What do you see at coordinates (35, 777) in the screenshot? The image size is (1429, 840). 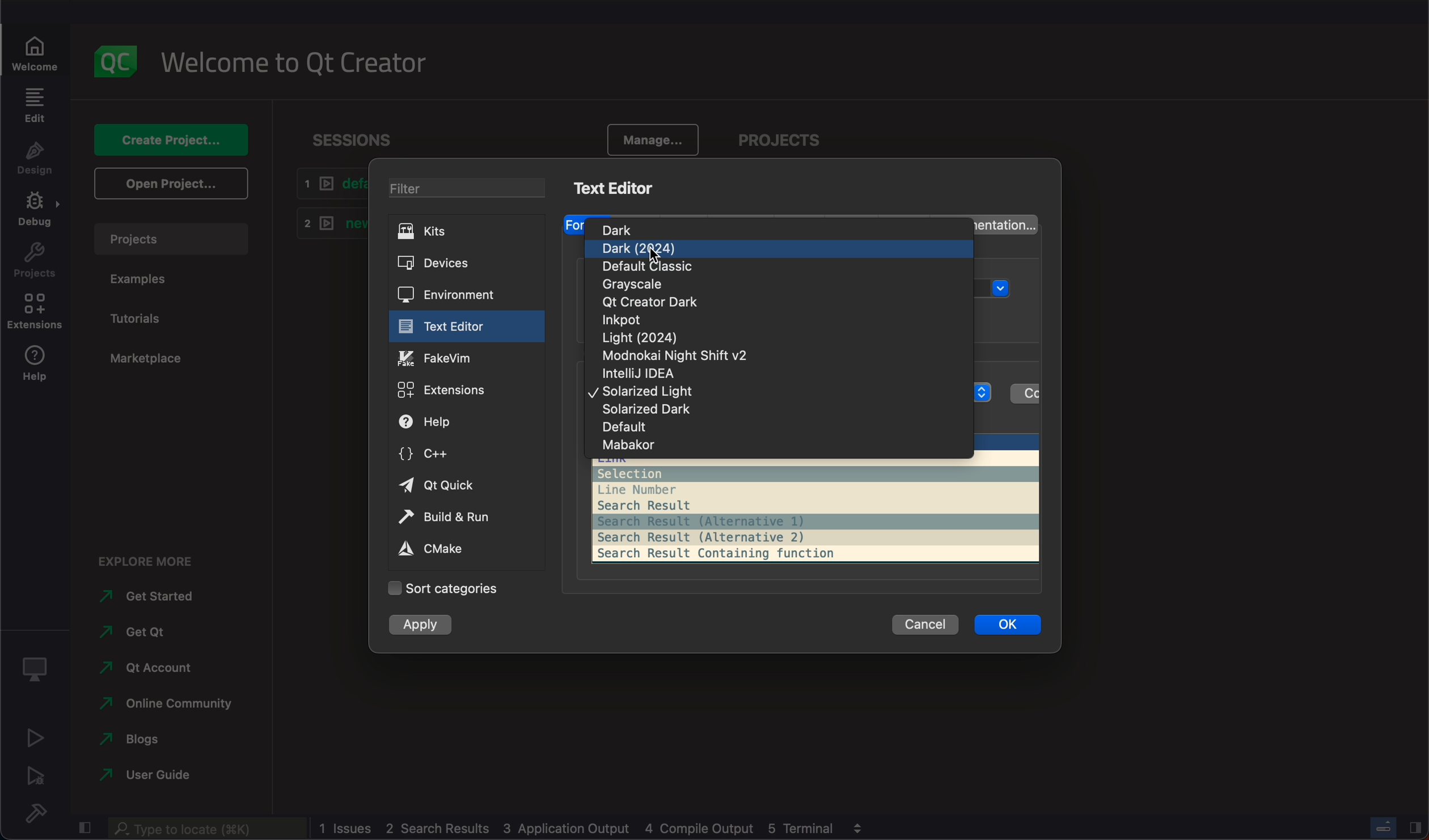 I see `run debug` at bounding box center [35, 777].